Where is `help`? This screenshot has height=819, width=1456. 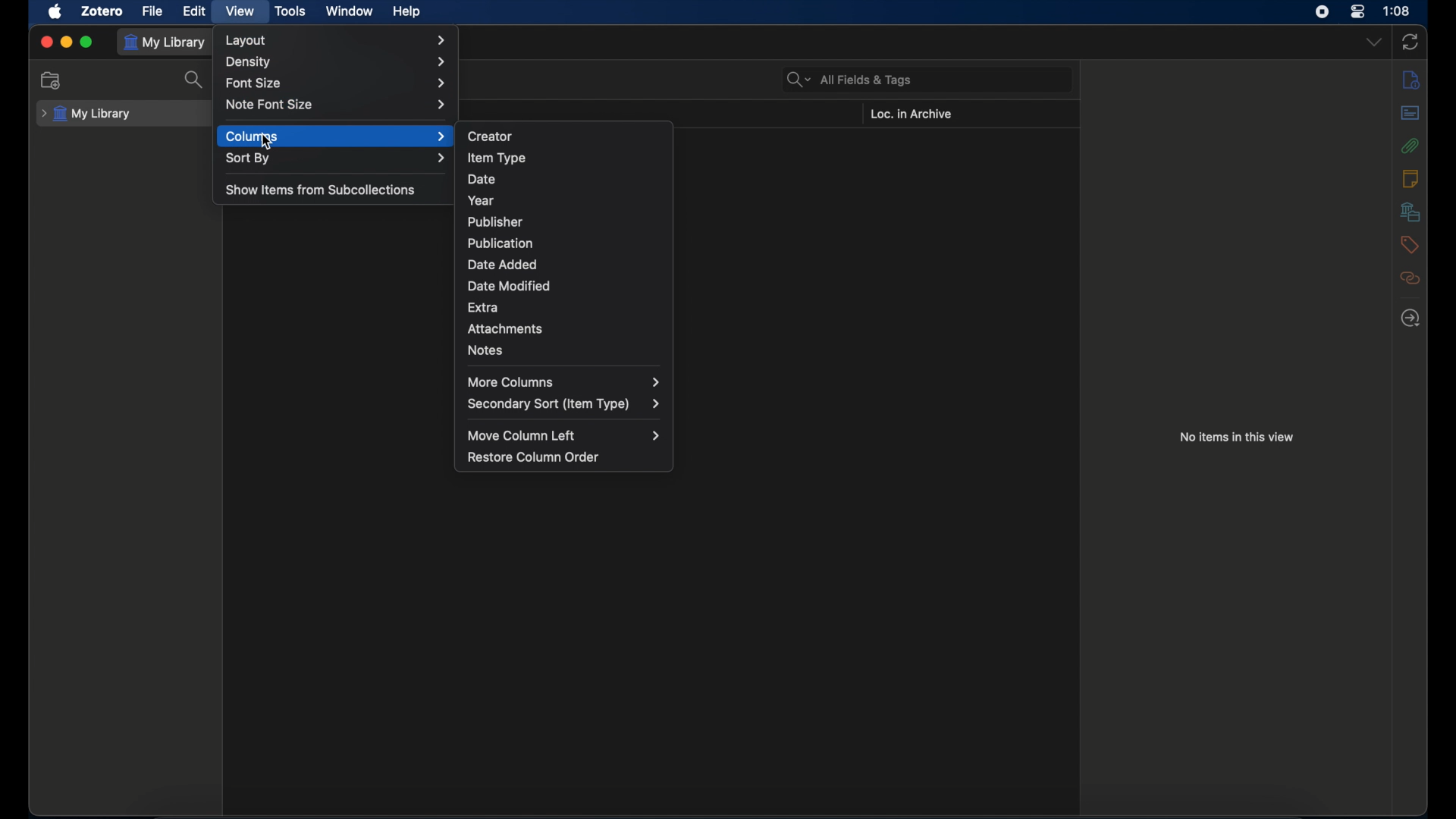 help is located at coordinates (406, 12).